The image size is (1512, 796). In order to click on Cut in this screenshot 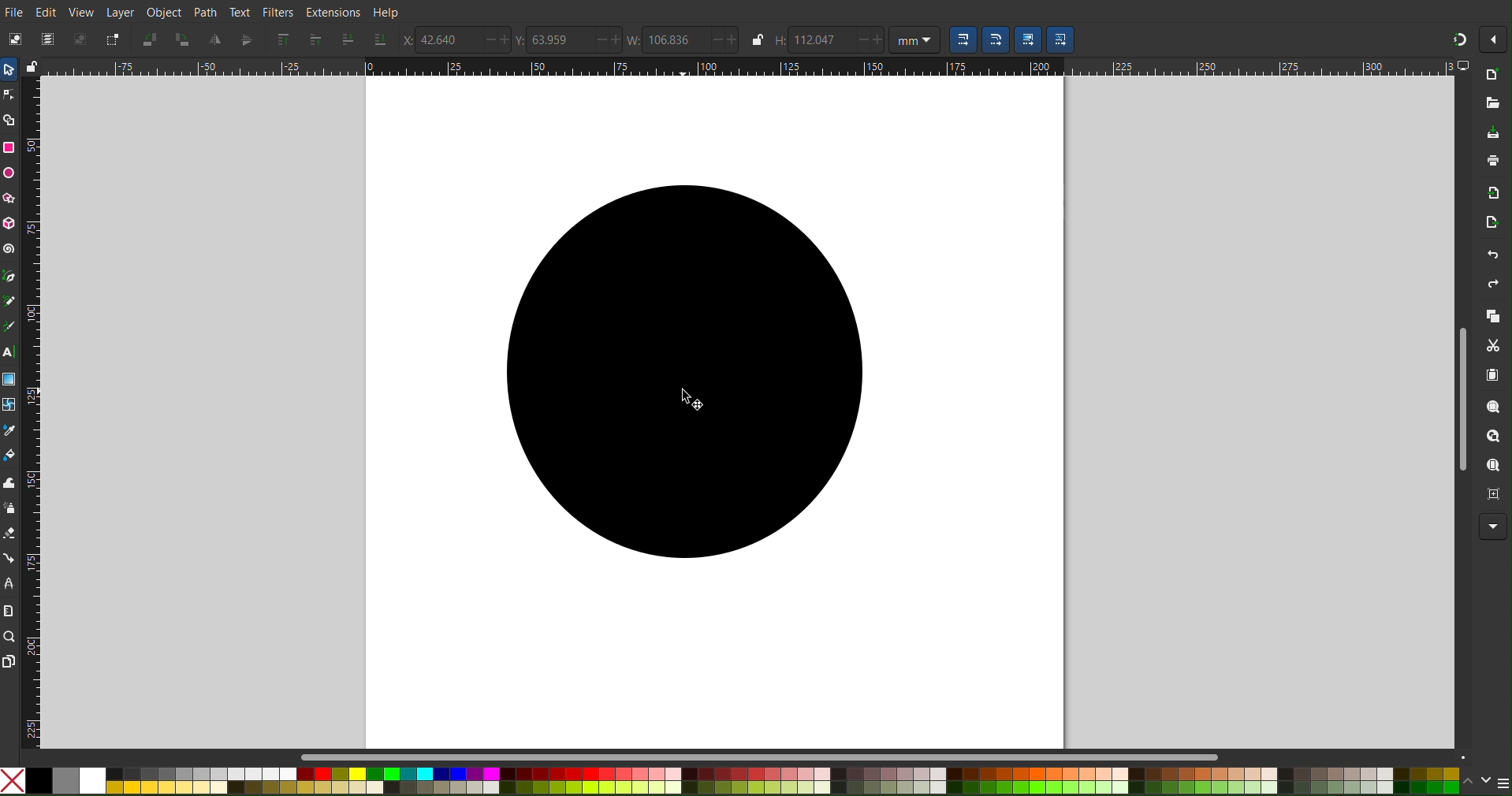, I will do `click(1493, 345)`.